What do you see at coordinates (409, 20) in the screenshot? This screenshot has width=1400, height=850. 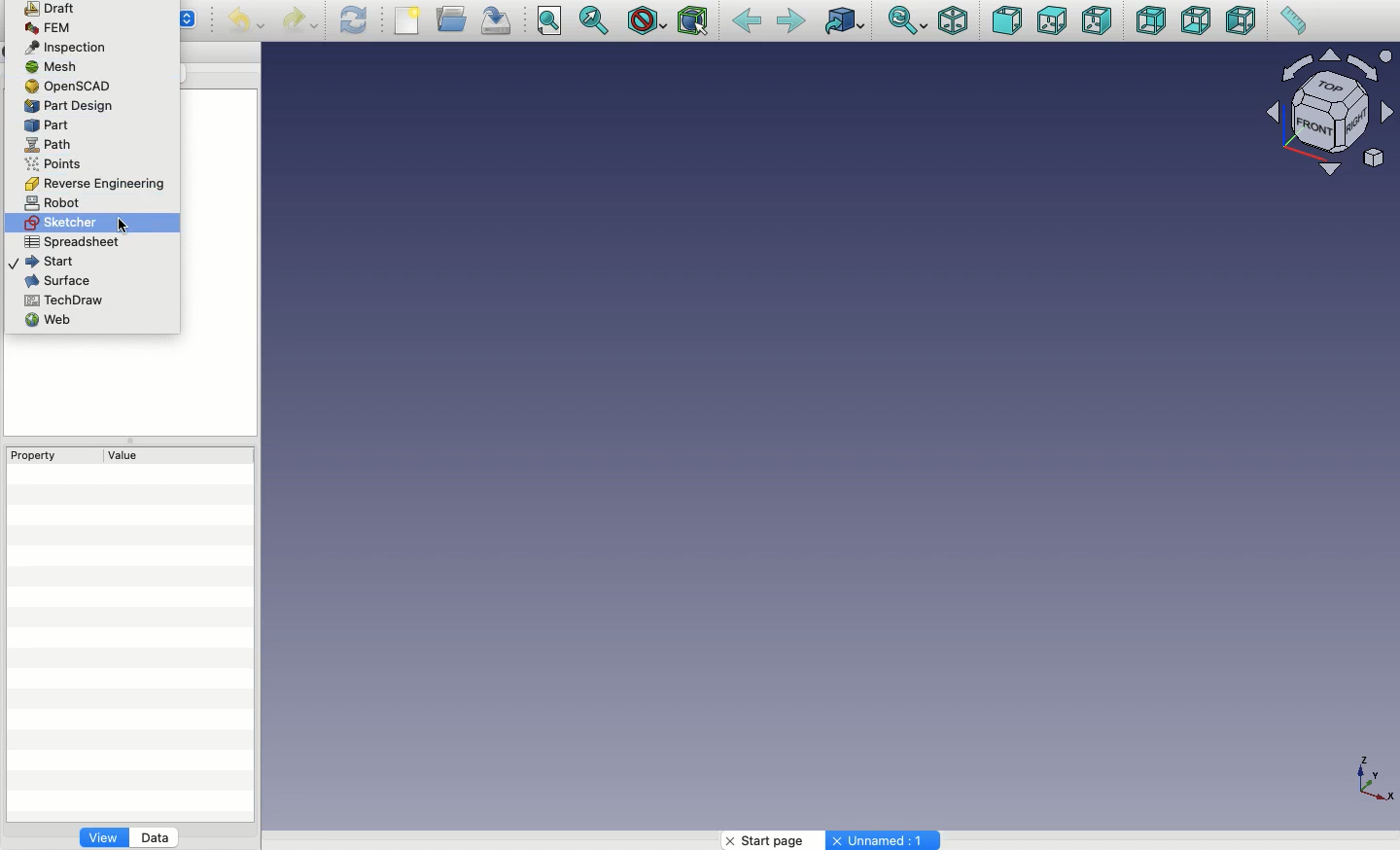 I see `New` at bounding box center [409, 20].